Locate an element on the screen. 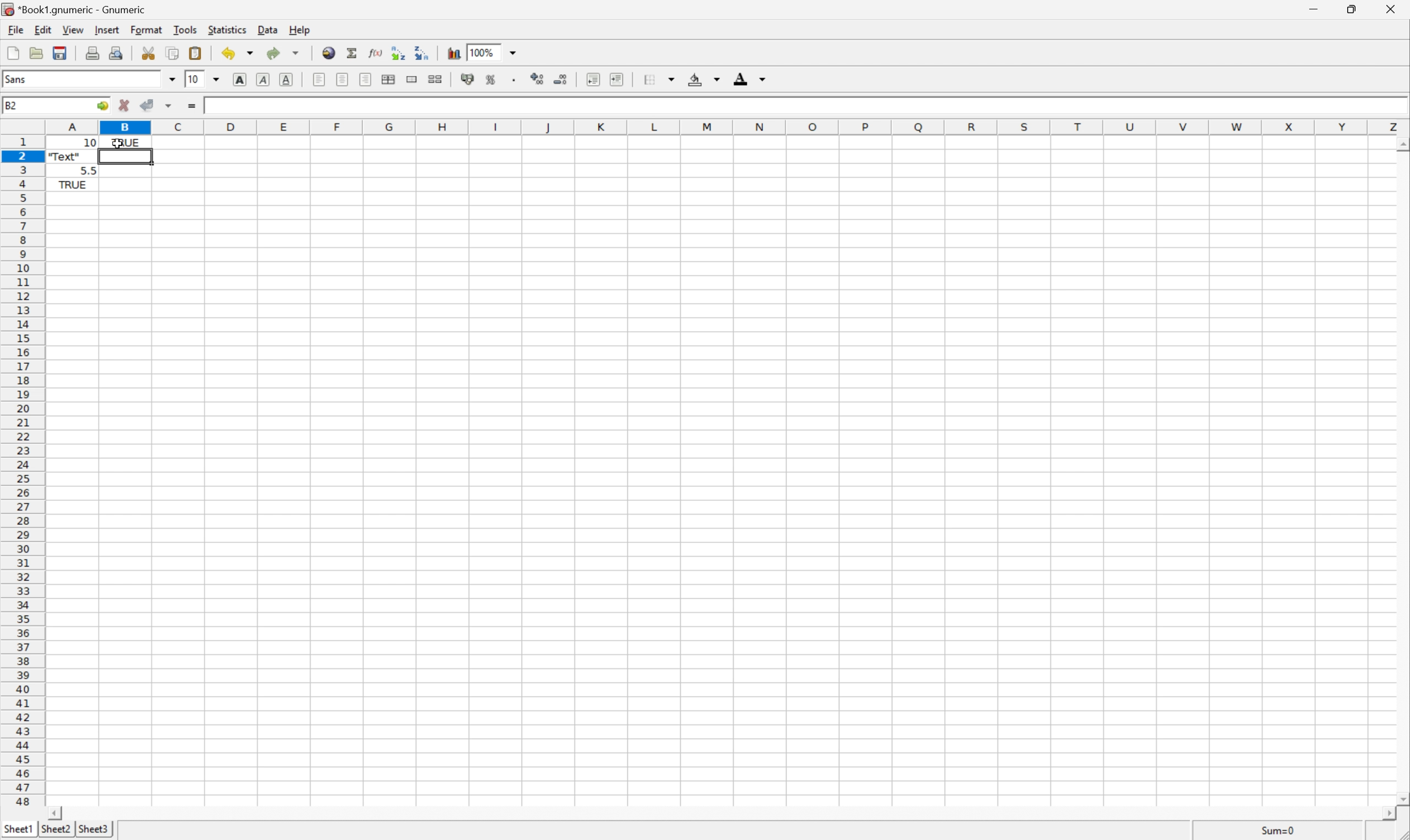 The height and width of the screenshot is (840, 1410). 10 is located at coordinates (211, 105).